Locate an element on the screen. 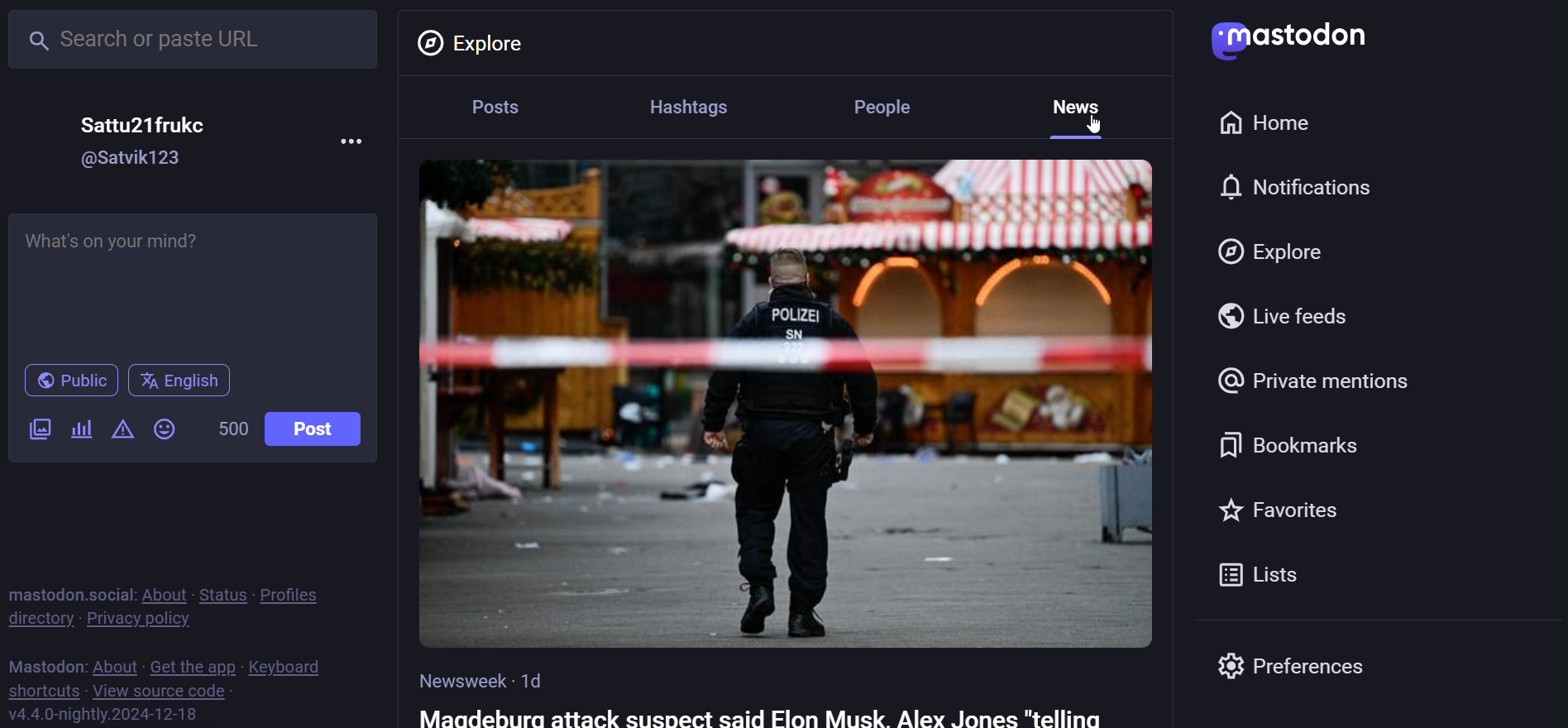  view source code is located at coordinates (169, 692).